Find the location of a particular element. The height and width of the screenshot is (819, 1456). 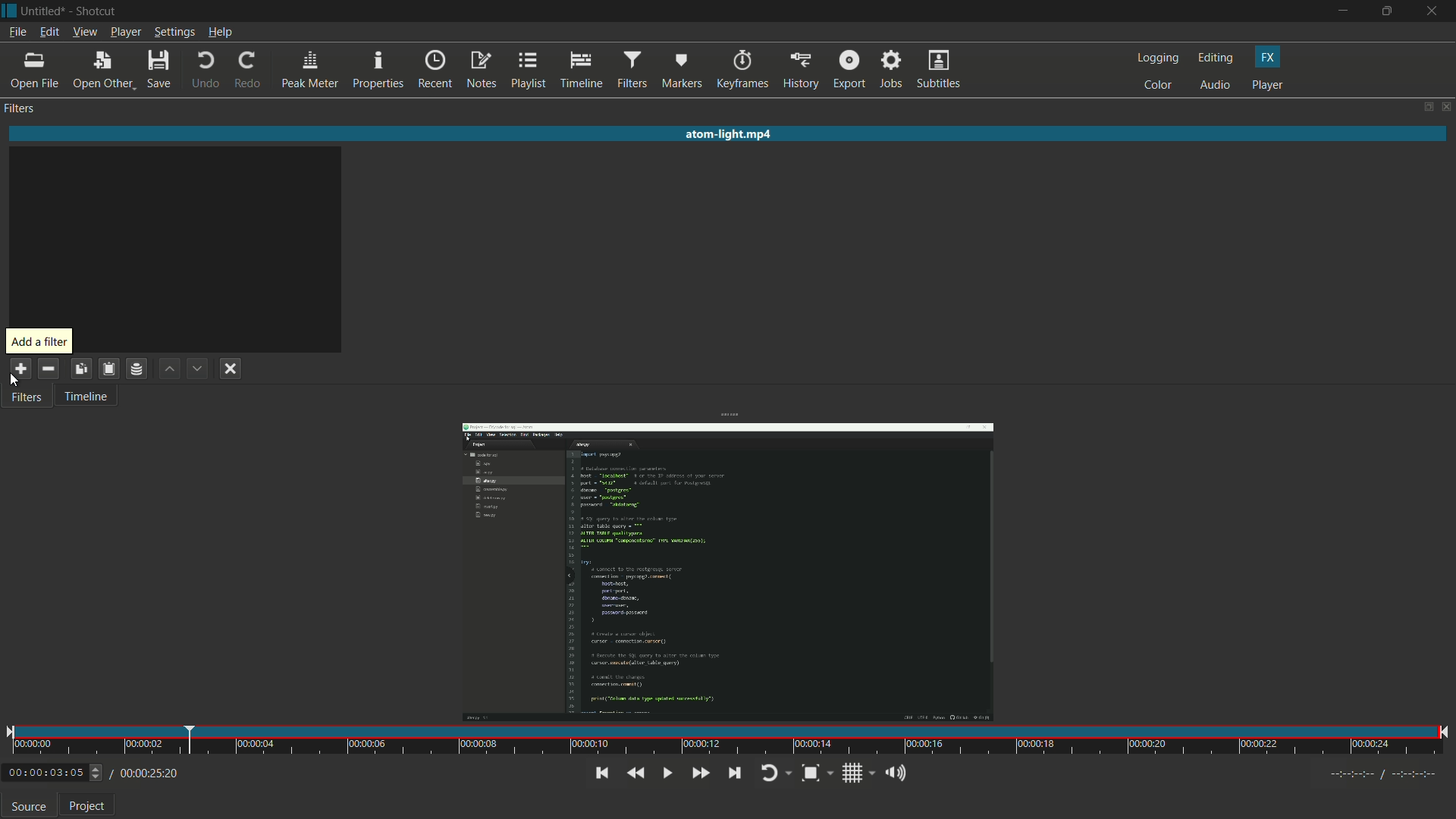

player menu is located at coordinates (125, 33).